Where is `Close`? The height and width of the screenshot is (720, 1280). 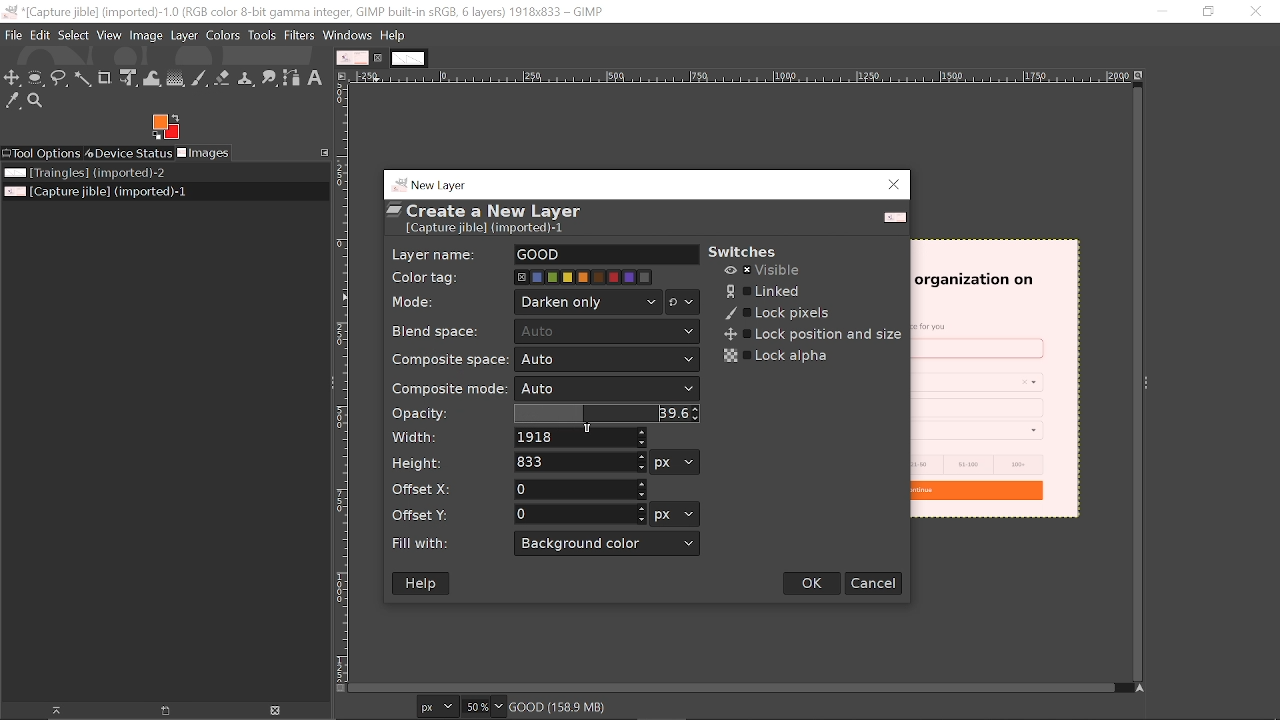
Close is located at coordinates (895, 185).